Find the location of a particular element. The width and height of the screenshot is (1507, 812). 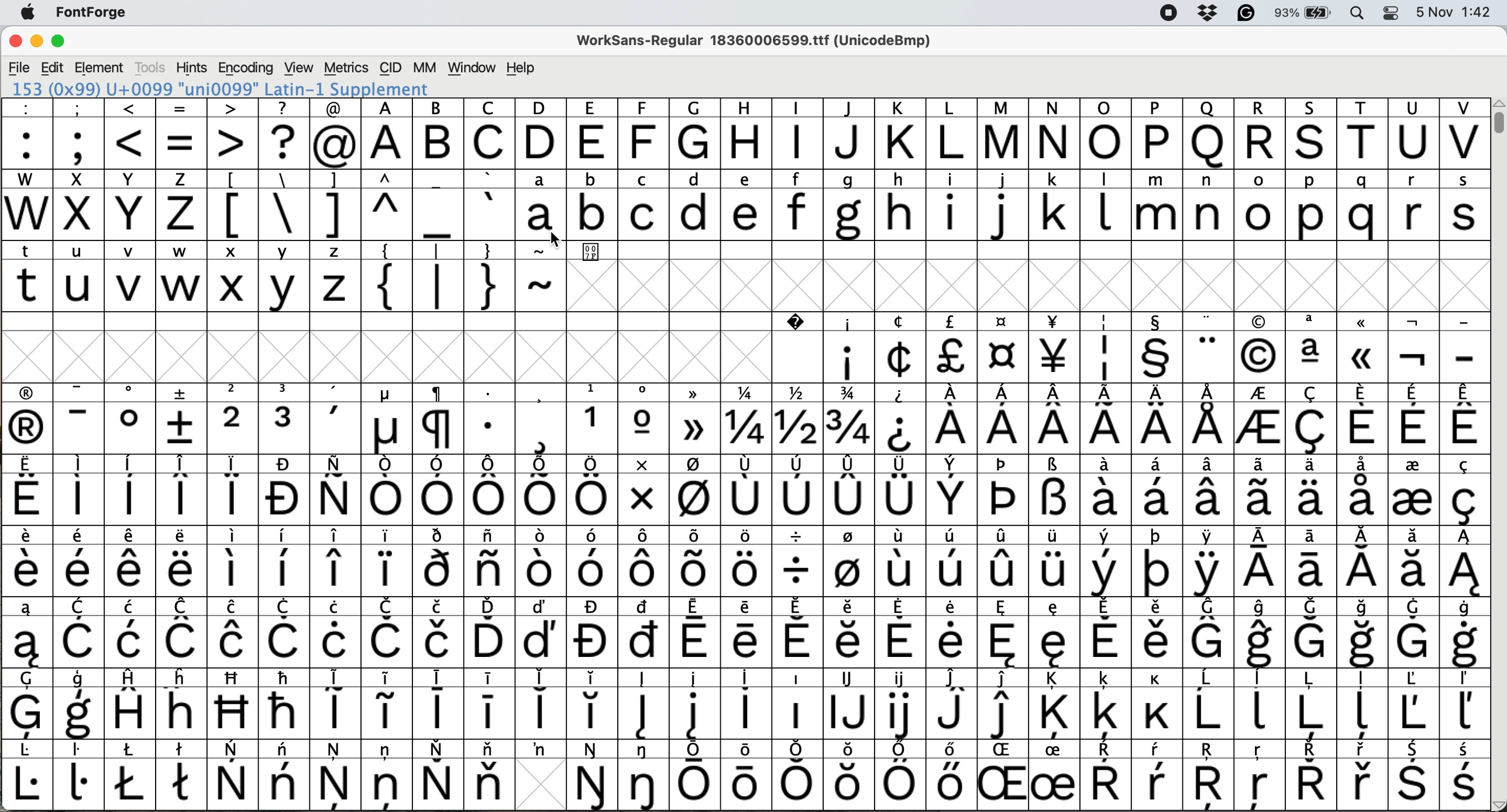

symbol is located at coordinates (1466, 418).